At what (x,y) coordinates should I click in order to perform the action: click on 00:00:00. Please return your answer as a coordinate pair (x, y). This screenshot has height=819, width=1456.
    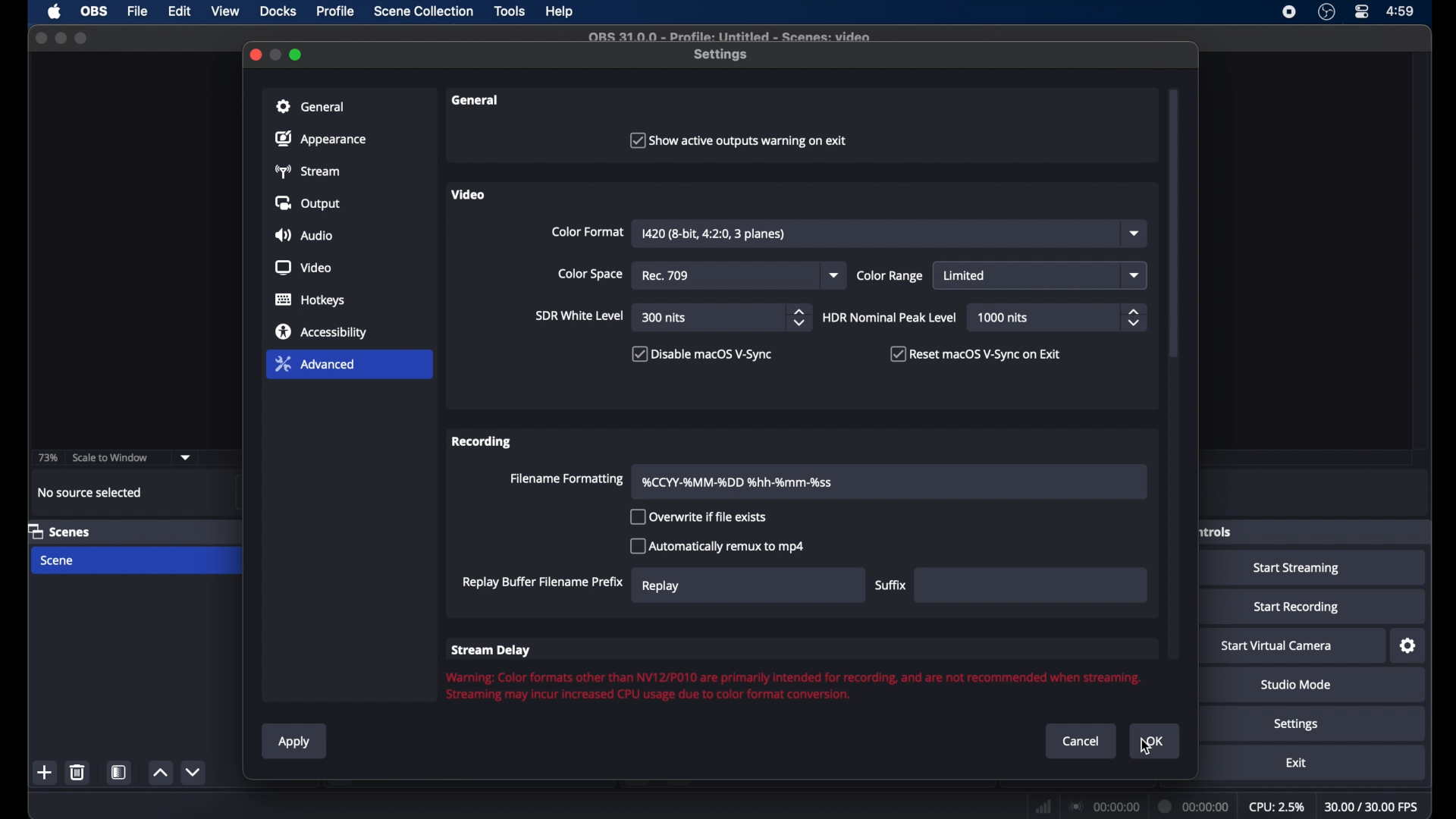
    Looking at the image, I should click on (1104, 806).